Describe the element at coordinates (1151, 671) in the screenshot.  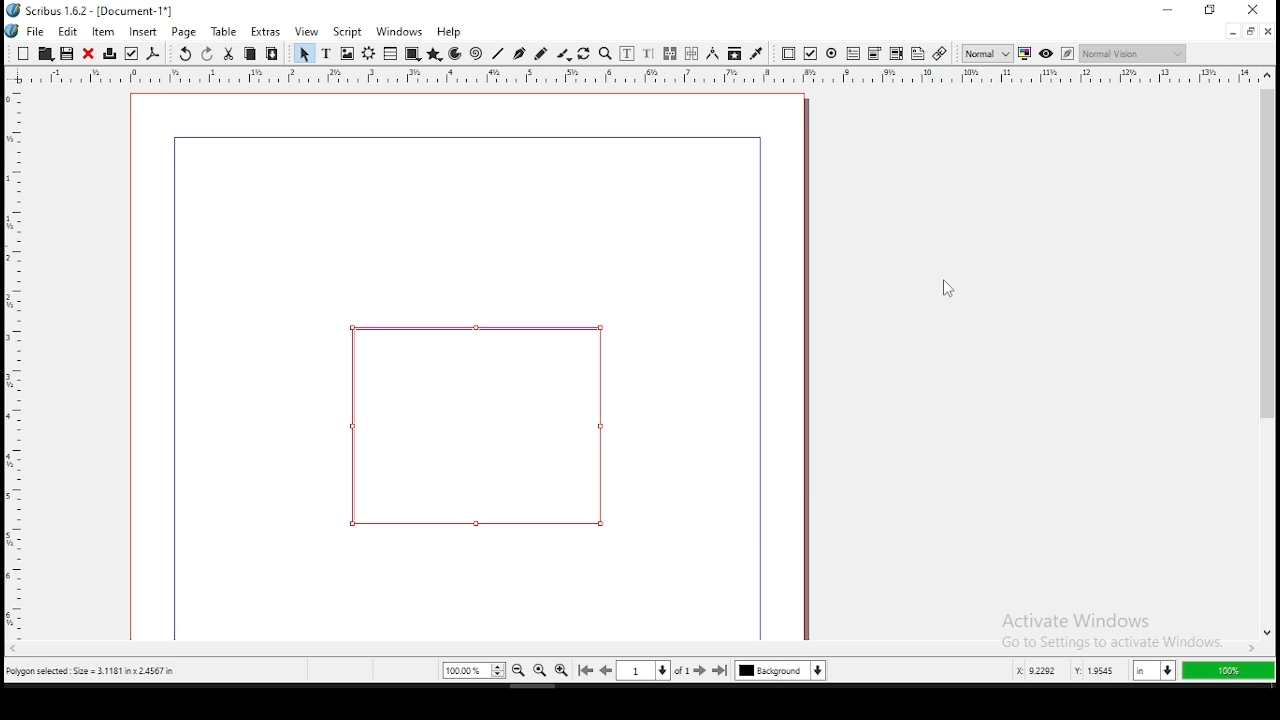
I see `in` at that location.